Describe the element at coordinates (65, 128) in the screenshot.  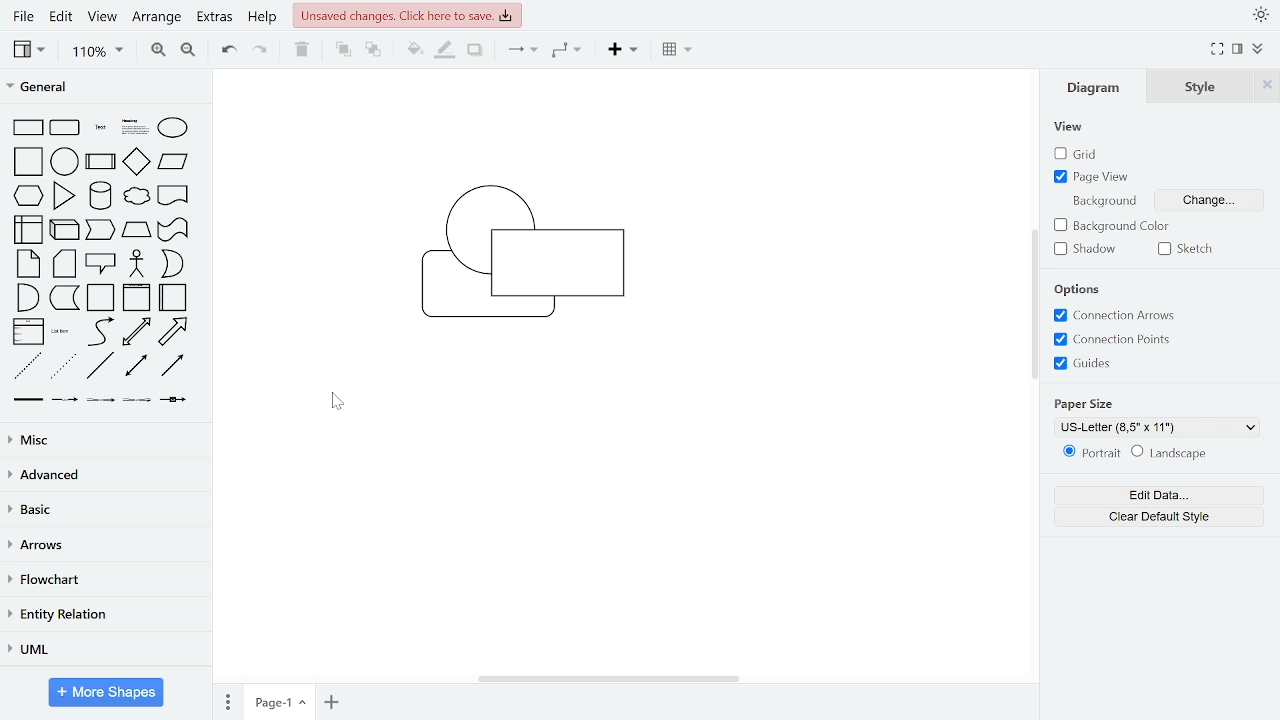
I see `rounded rectangle` at that location.